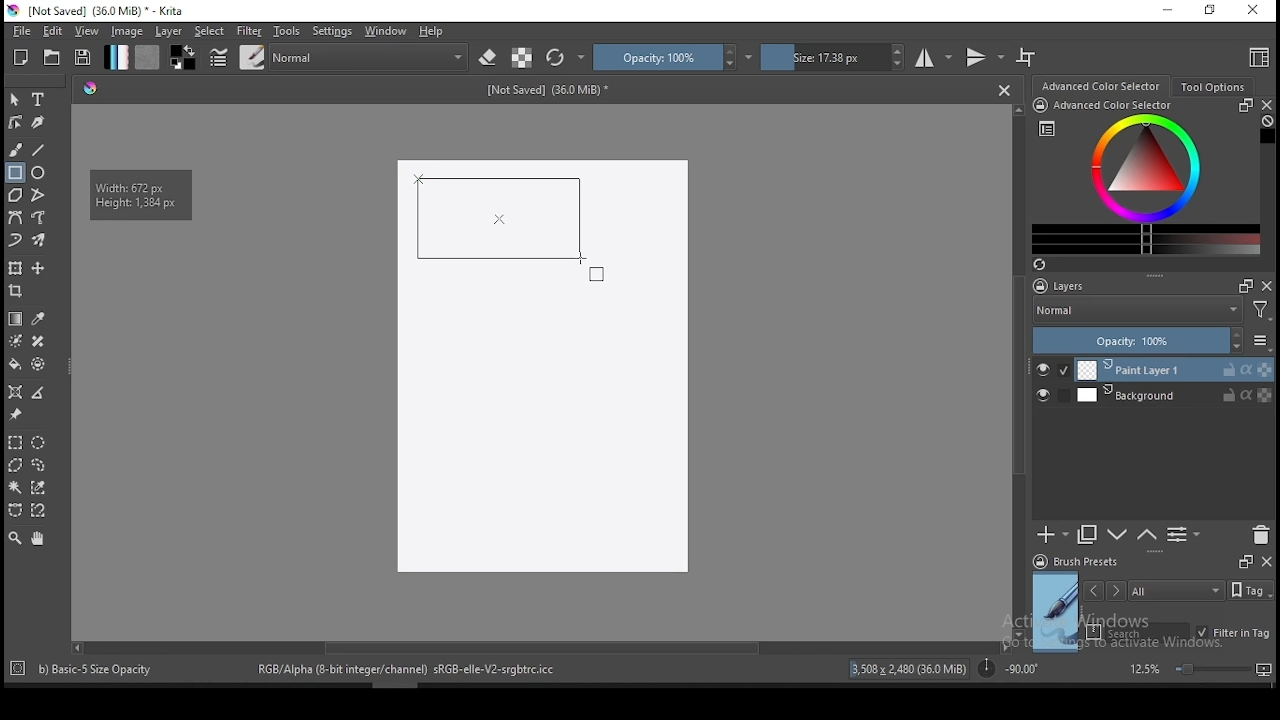  What do you see at coordinates (1260, 536) in the screenshot?
I see `delete layer` at bounding box center [1260, 536].